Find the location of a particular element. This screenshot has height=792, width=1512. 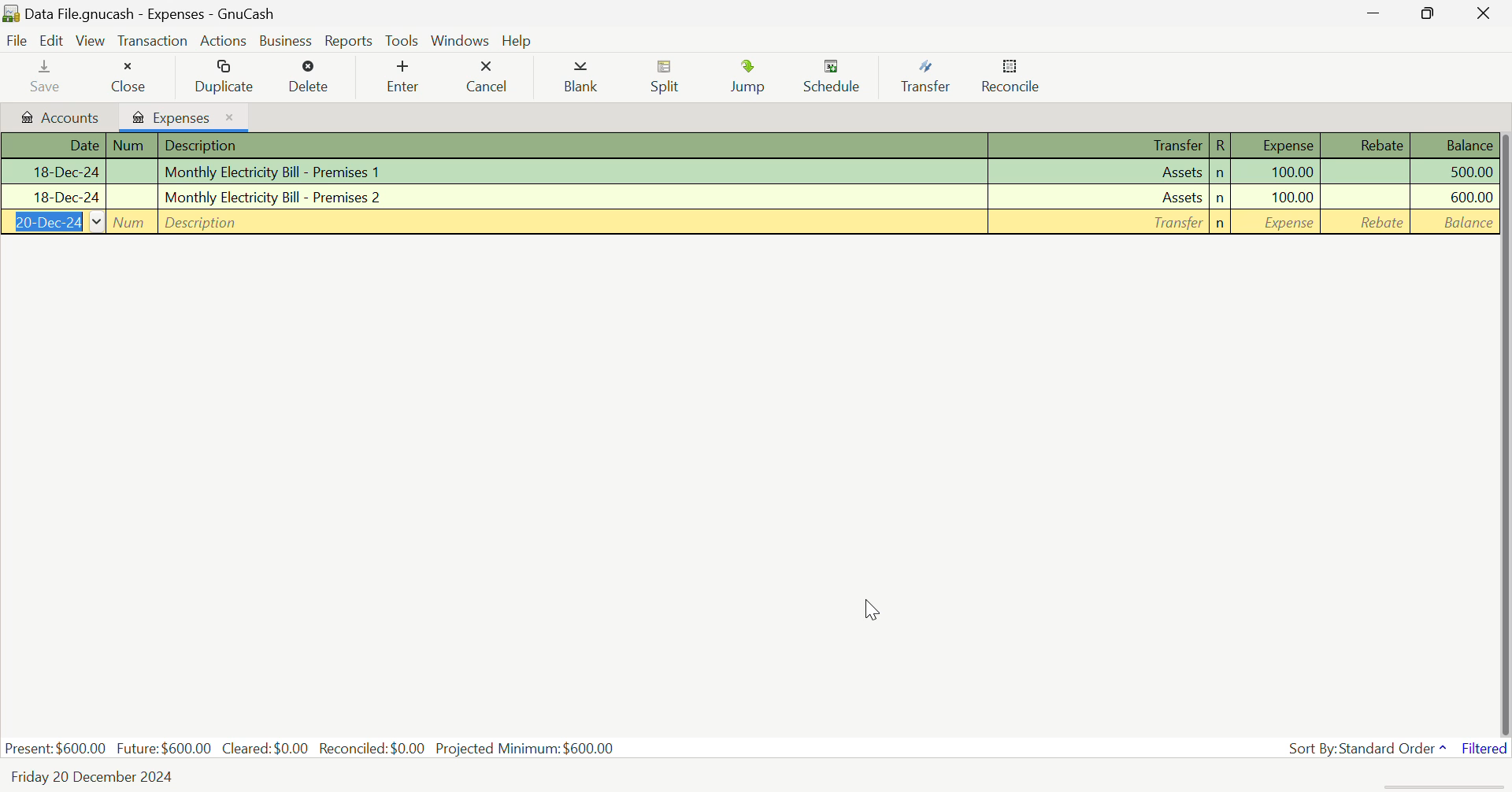

Date is located at coordinates (51, 222).